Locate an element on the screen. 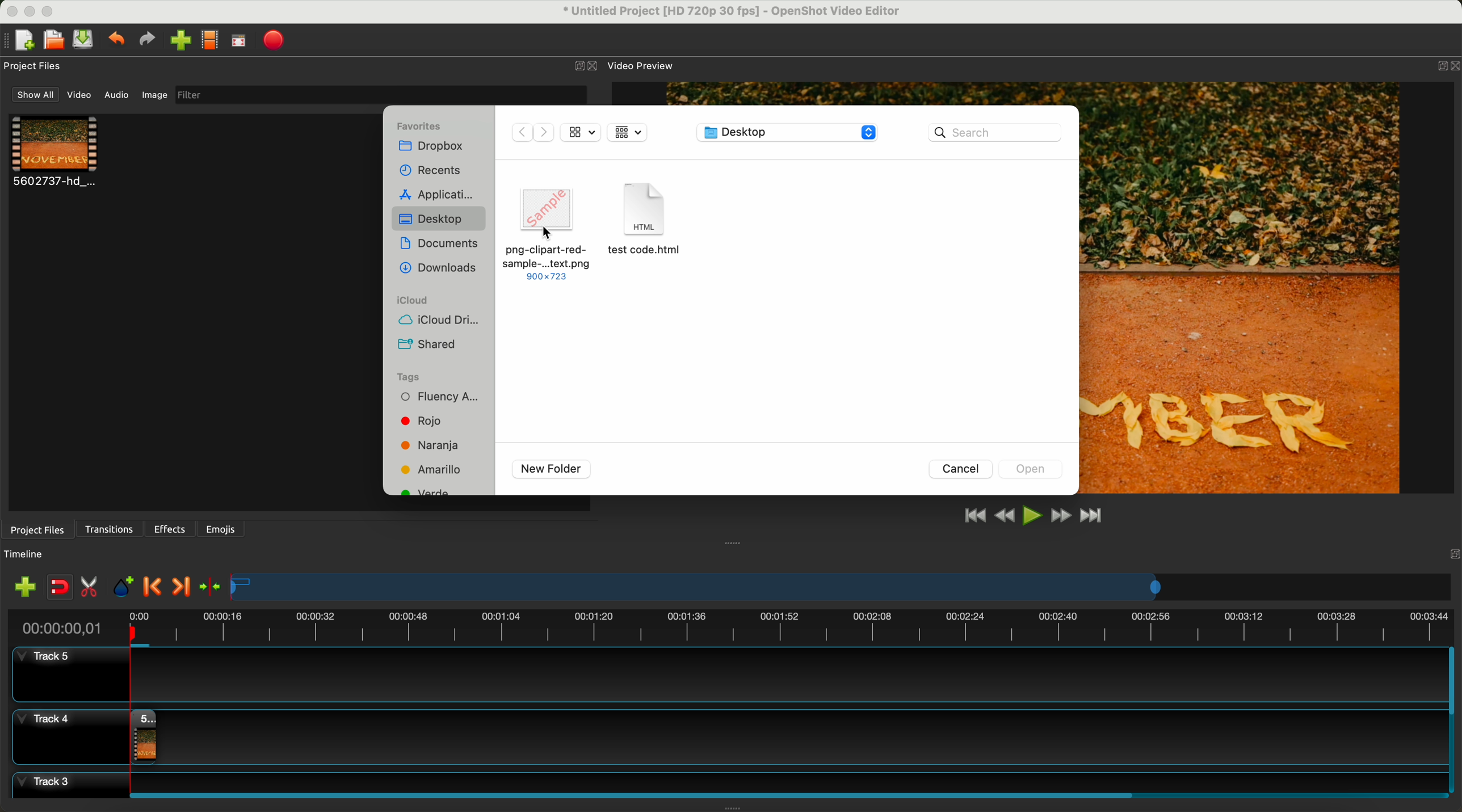 Image resolution: width=1462 pixels, height=812 pixels. file is located at coordinates (647, 229).